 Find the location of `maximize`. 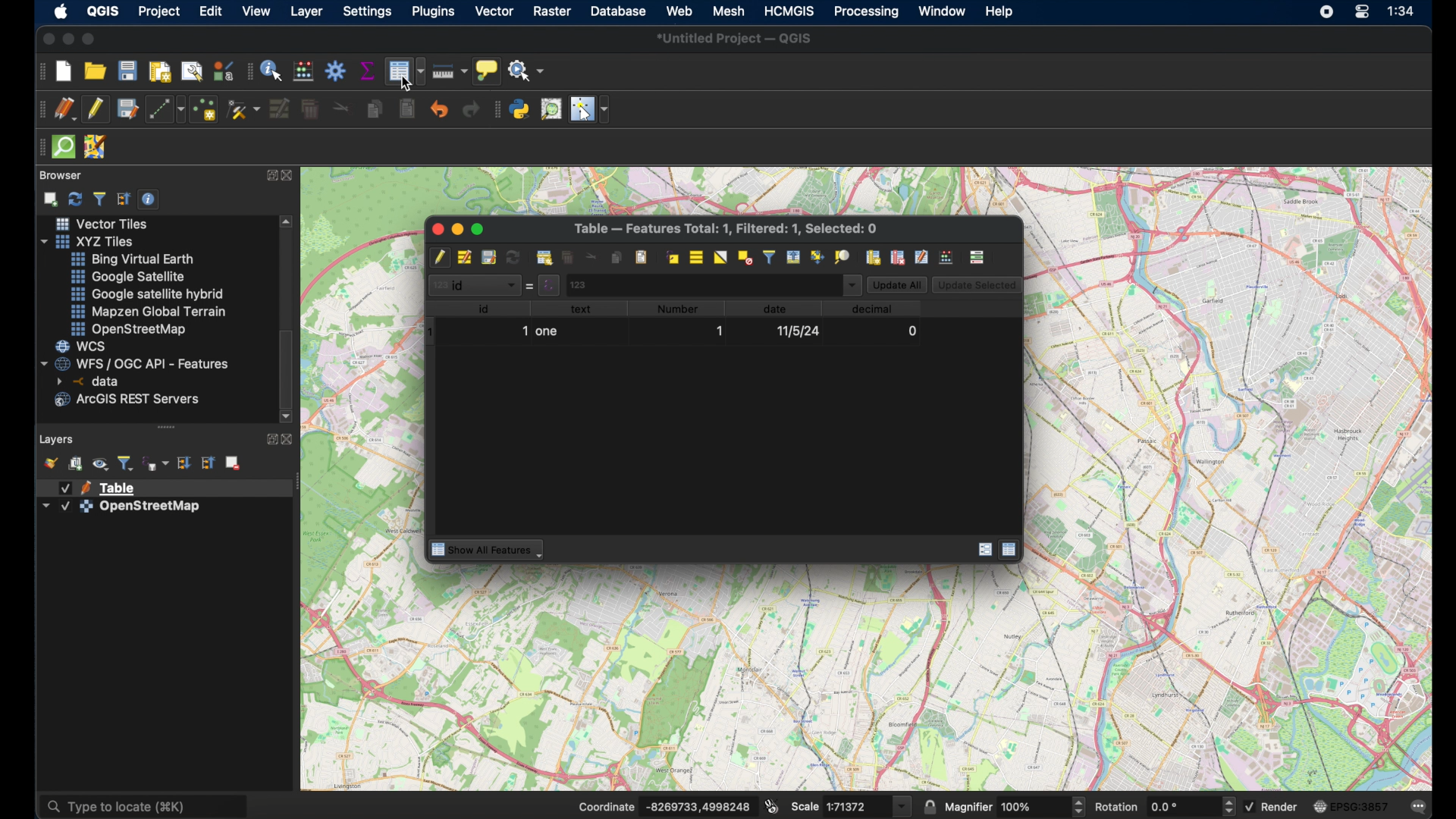

maximize is located at coordinates (482, 227).